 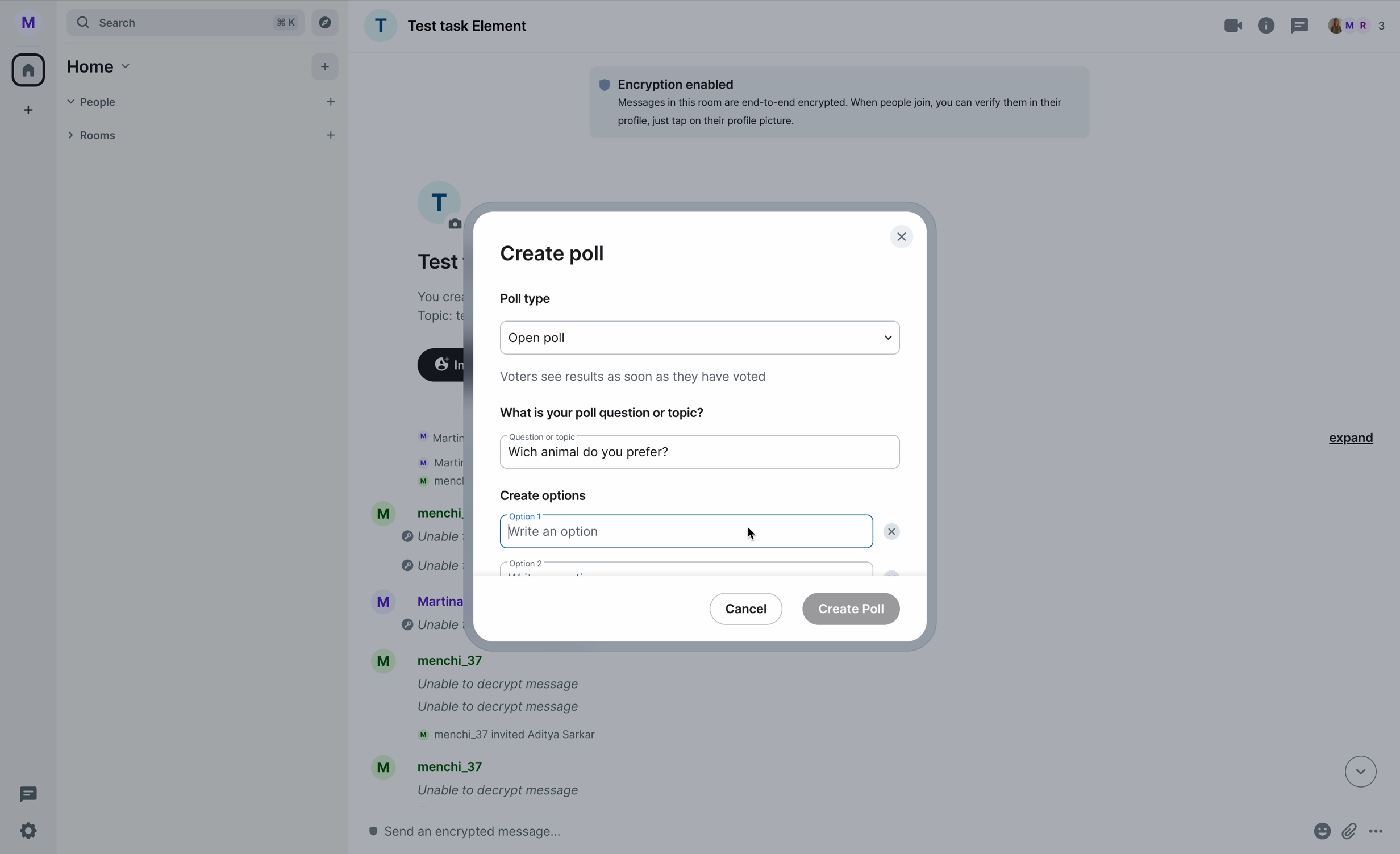 What do you see at coordinates (686, 532) in the screenshot?
I see `click on option 1` at bounding box center [686, 532].